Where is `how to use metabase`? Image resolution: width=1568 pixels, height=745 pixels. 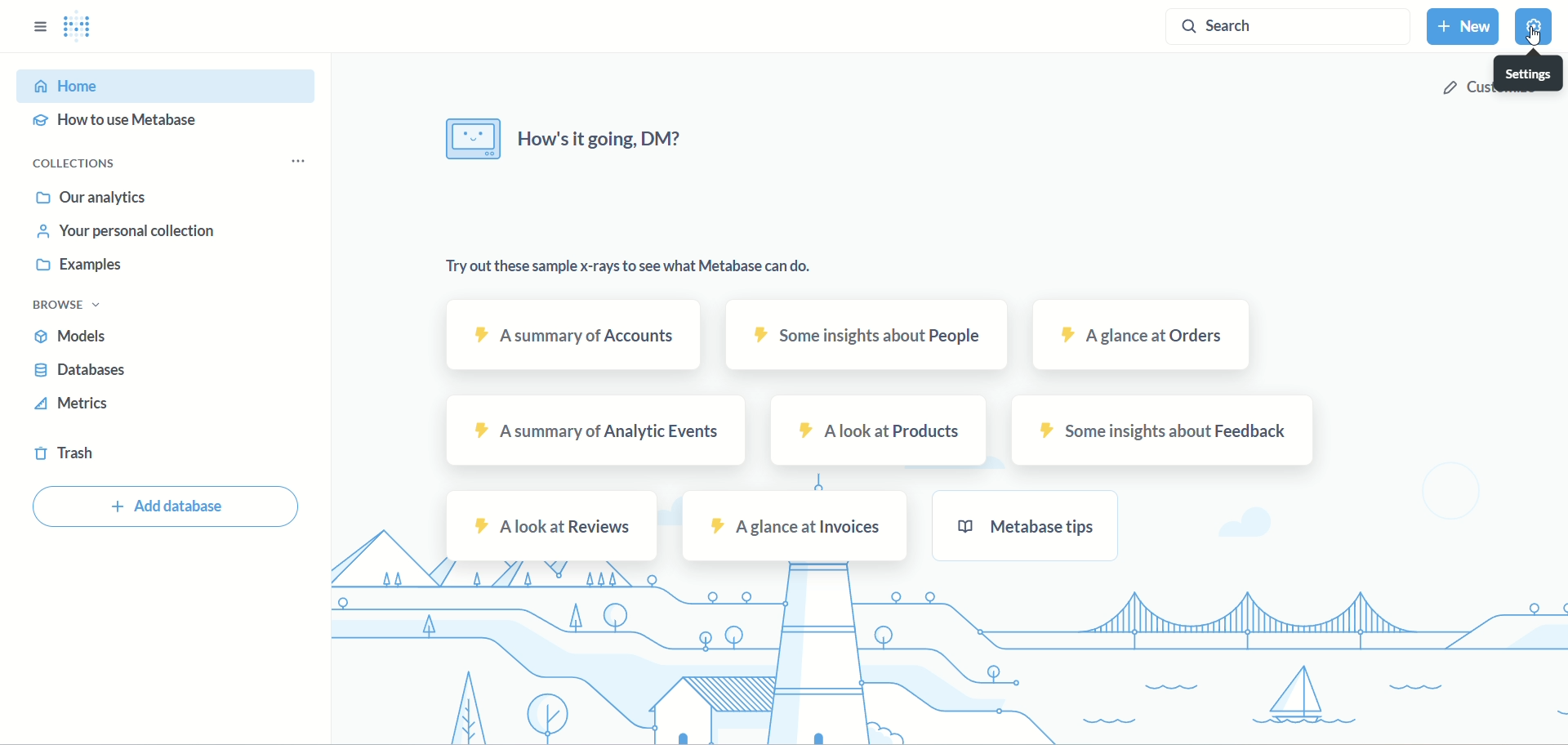
how to use metabase is located at coordinates (110, 126).